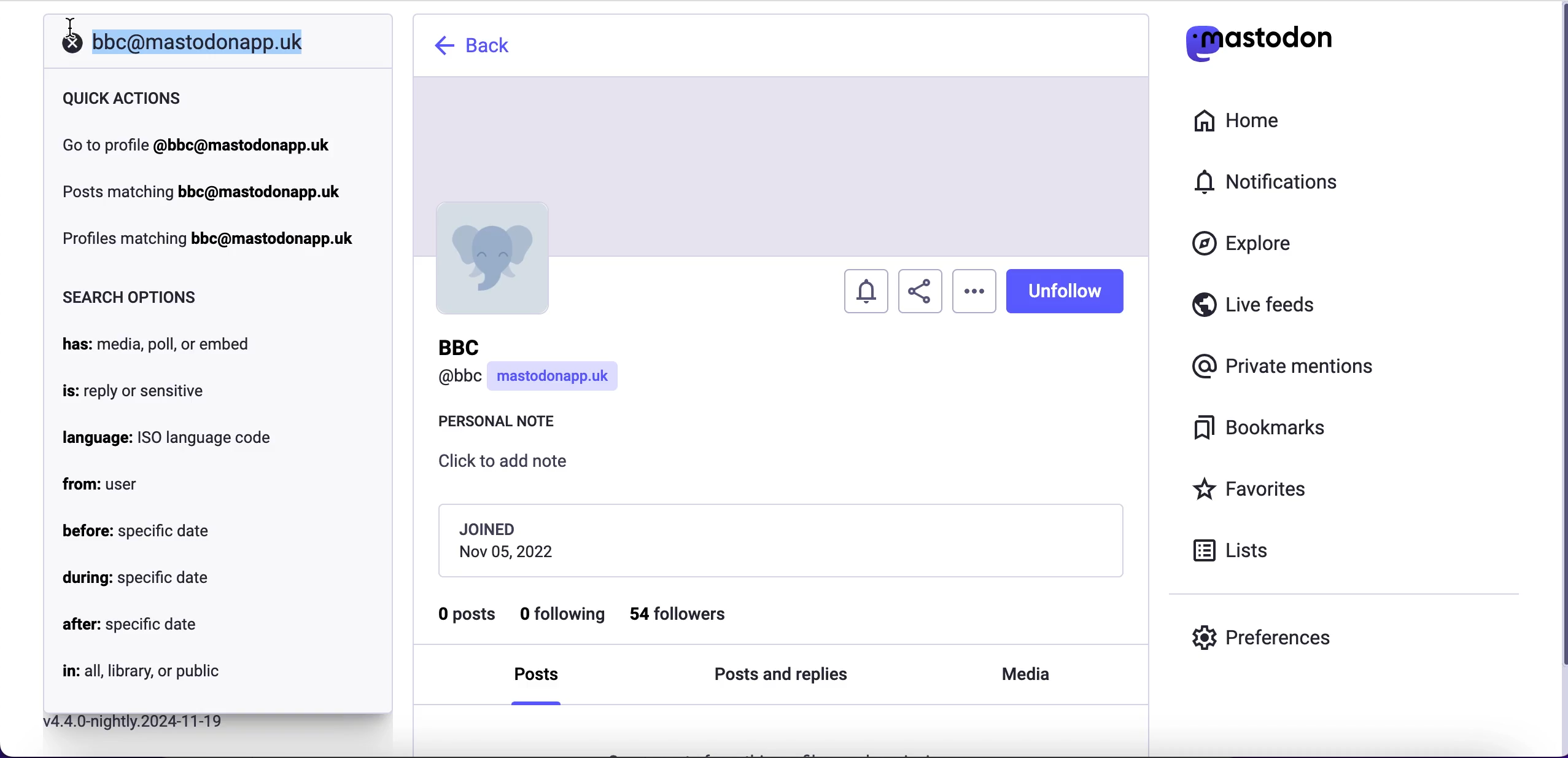 This screenshot has height=758, width=1568. What do you see at coordinates (195, 42) in the screenshot?
I see `selected` at bounding box center [195, 42].